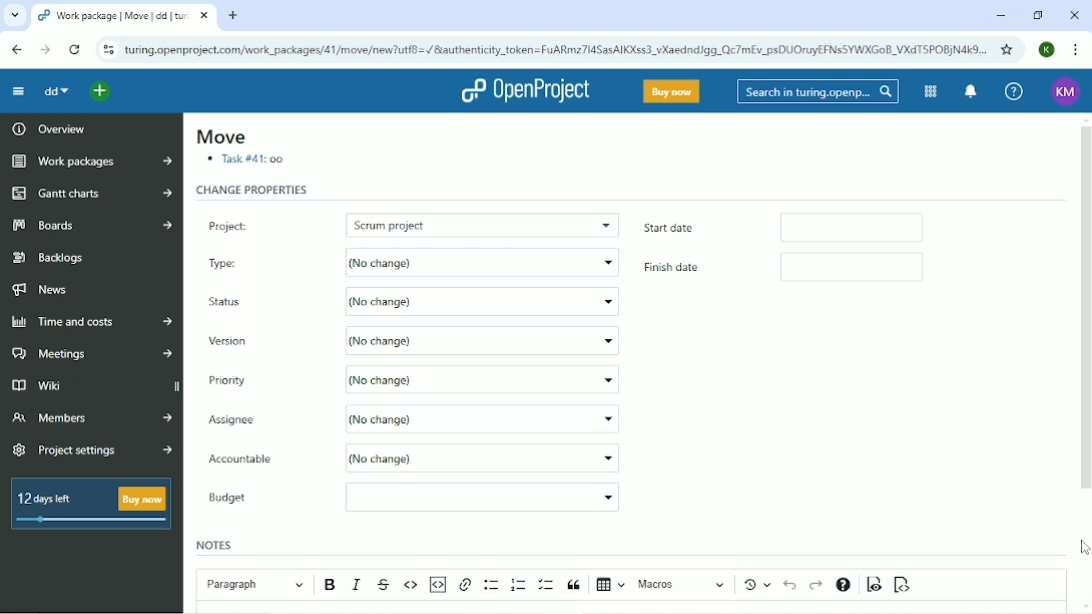 This screenshot has height=614, width=1092. Describe the element at coordinates (1067, 91) in the screenshot. I see `KM` at that location.